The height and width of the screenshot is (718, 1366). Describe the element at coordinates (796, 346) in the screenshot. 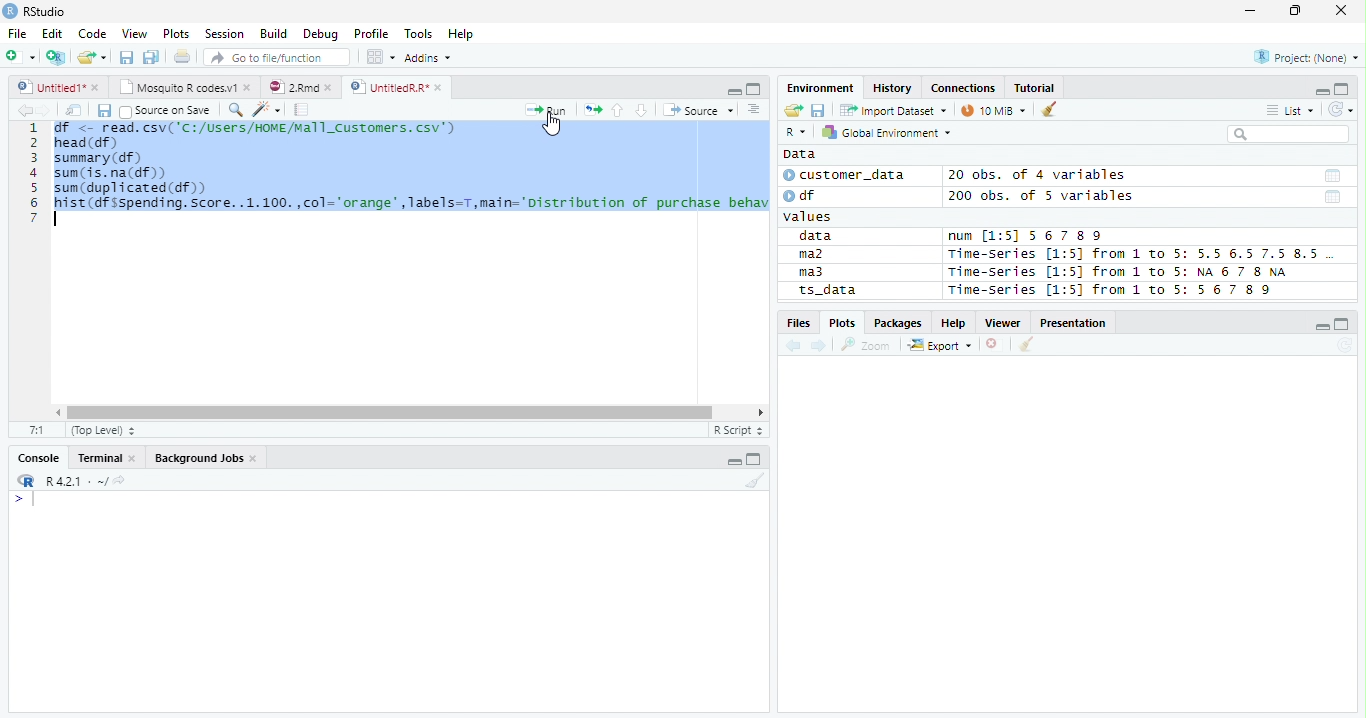

I see `Previous` at that location.